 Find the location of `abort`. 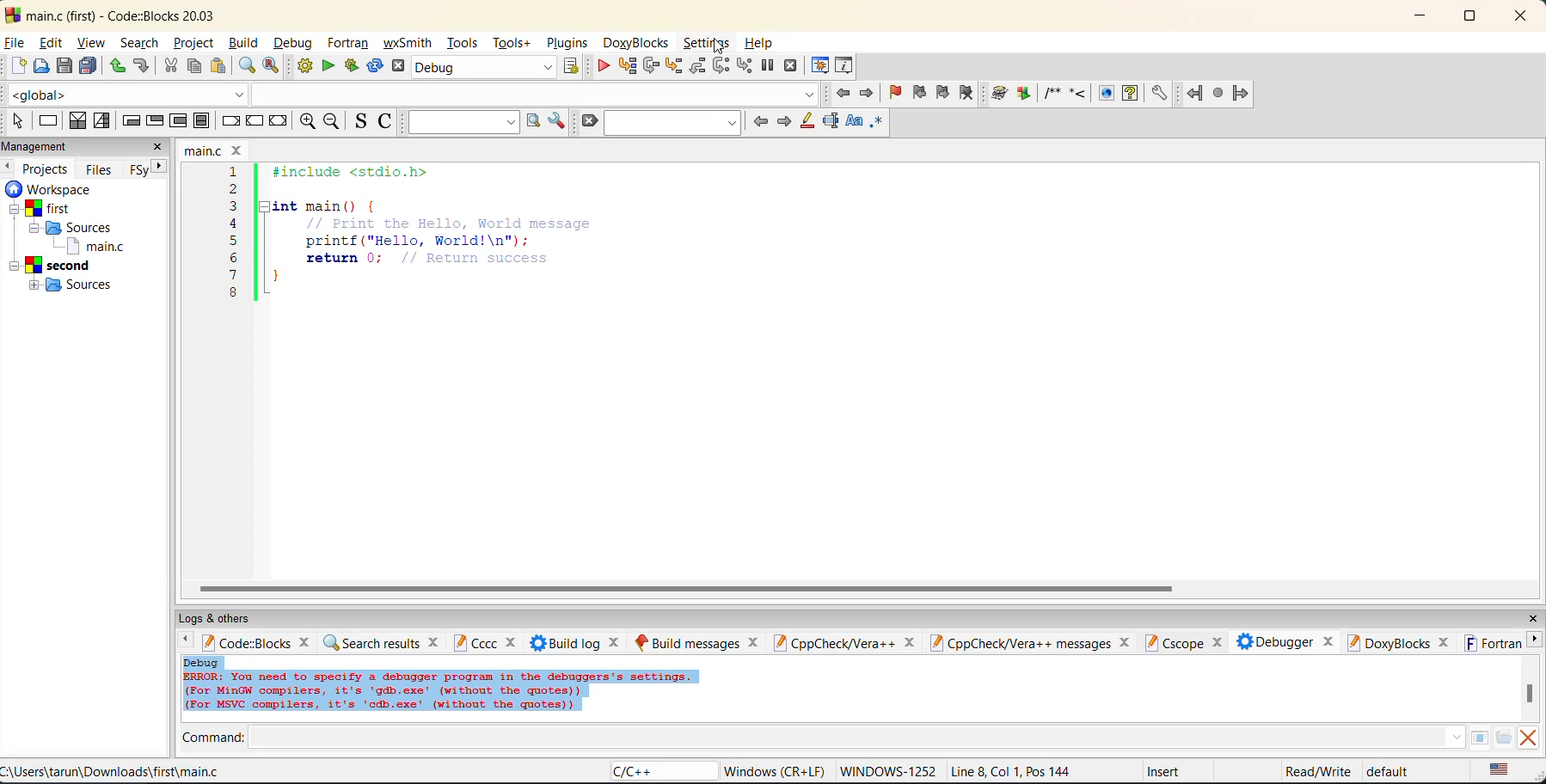

abort is located at coordinates (400, 66).